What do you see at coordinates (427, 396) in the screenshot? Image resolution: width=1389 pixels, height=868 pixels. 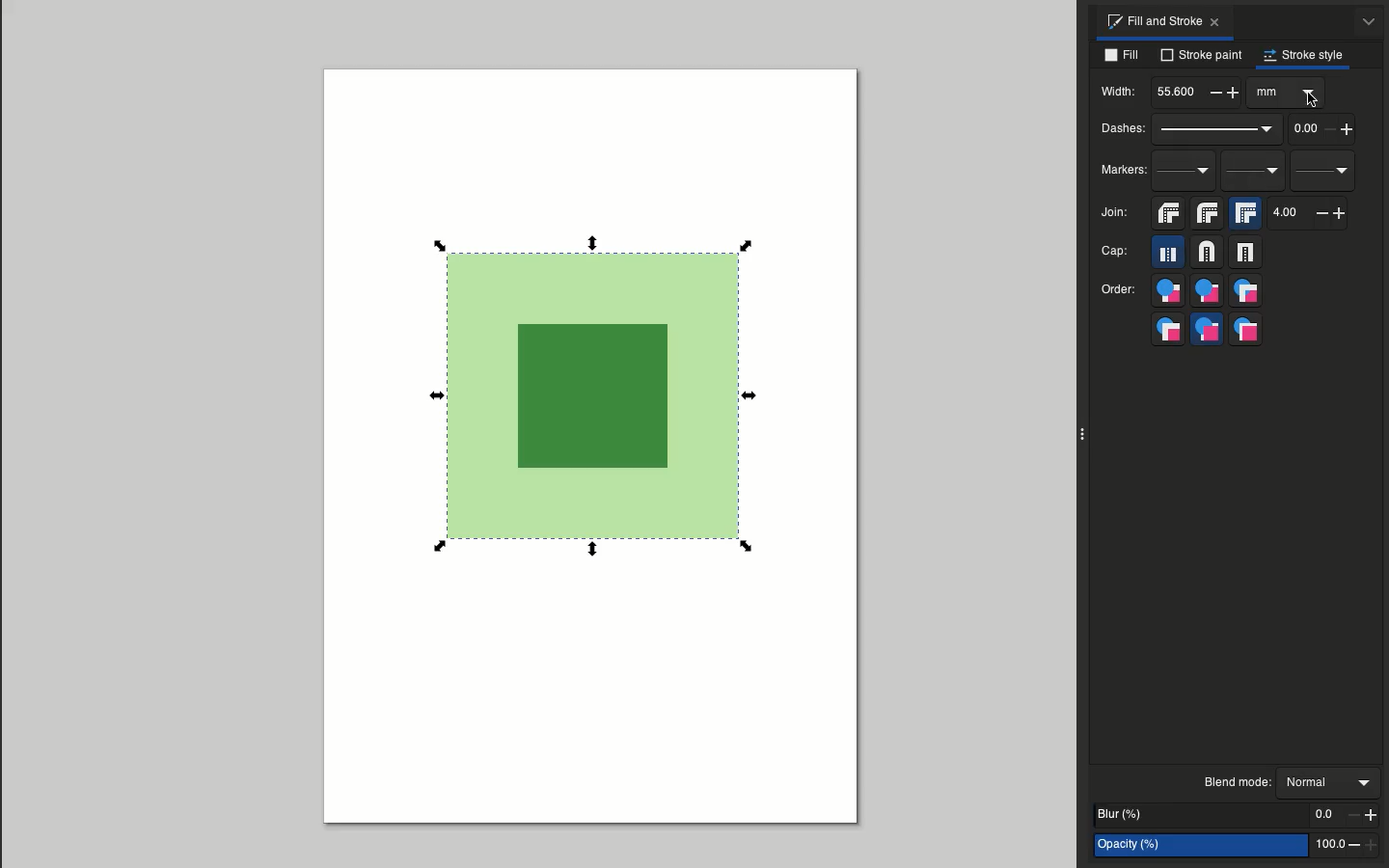 I see `Scale selection` at bounding box center [427, 396].